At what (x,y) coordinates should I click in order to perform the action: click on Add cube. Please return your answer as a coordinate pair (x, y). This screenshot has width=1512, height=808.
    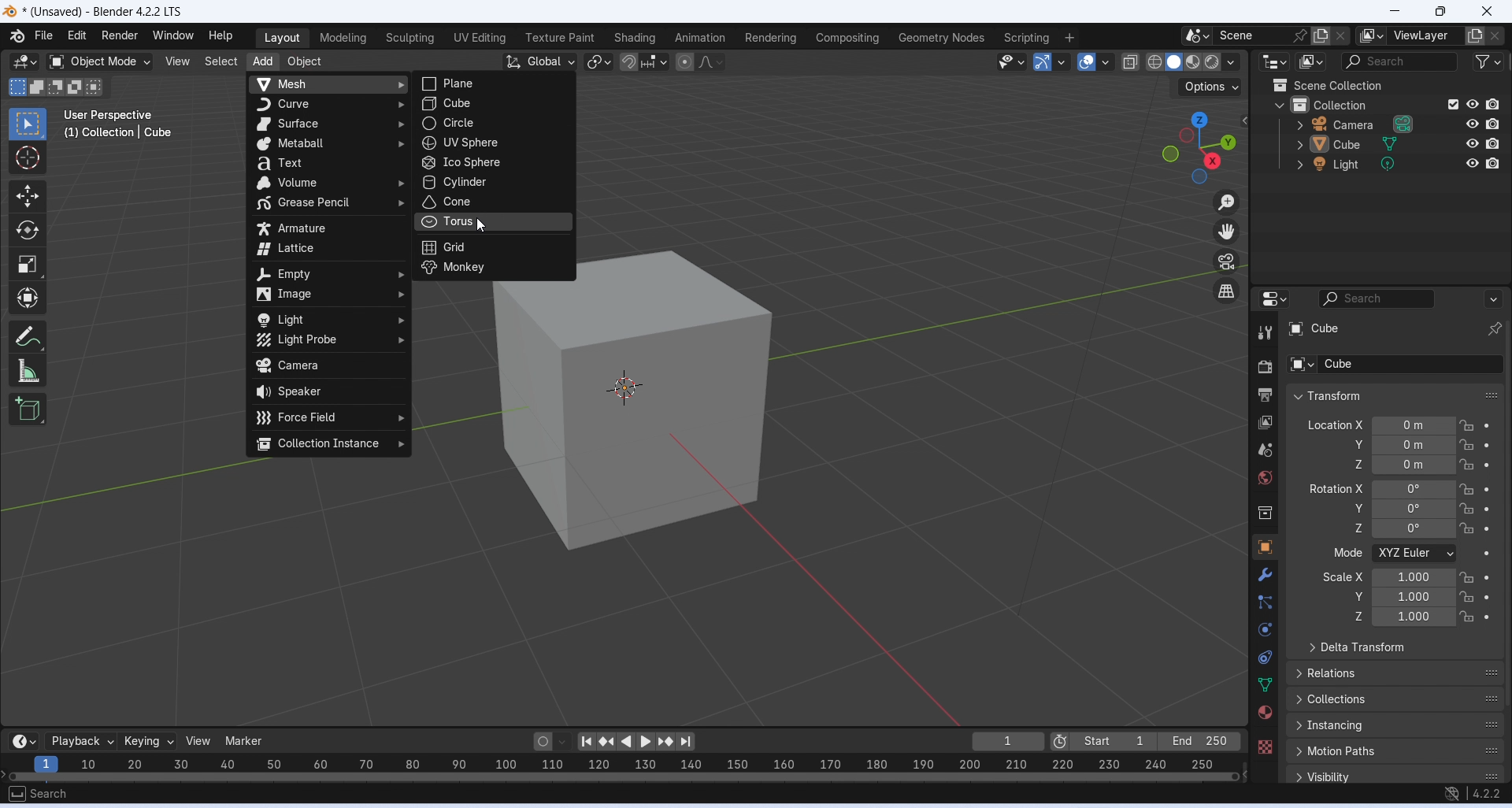
    Looking at the image, I should click on (29, 408).